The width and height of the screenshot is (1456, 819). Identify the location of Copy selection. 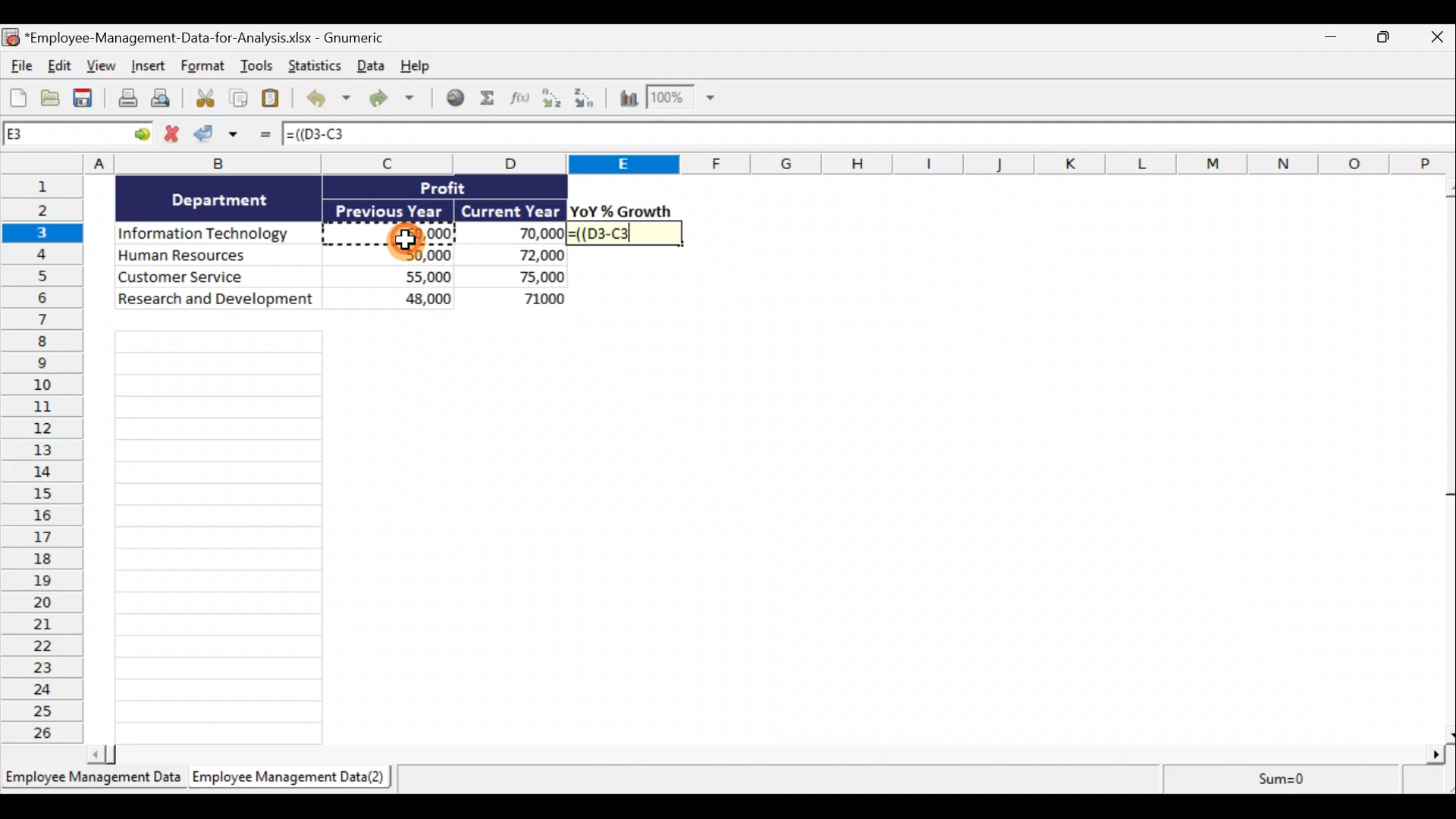
(239, 99).